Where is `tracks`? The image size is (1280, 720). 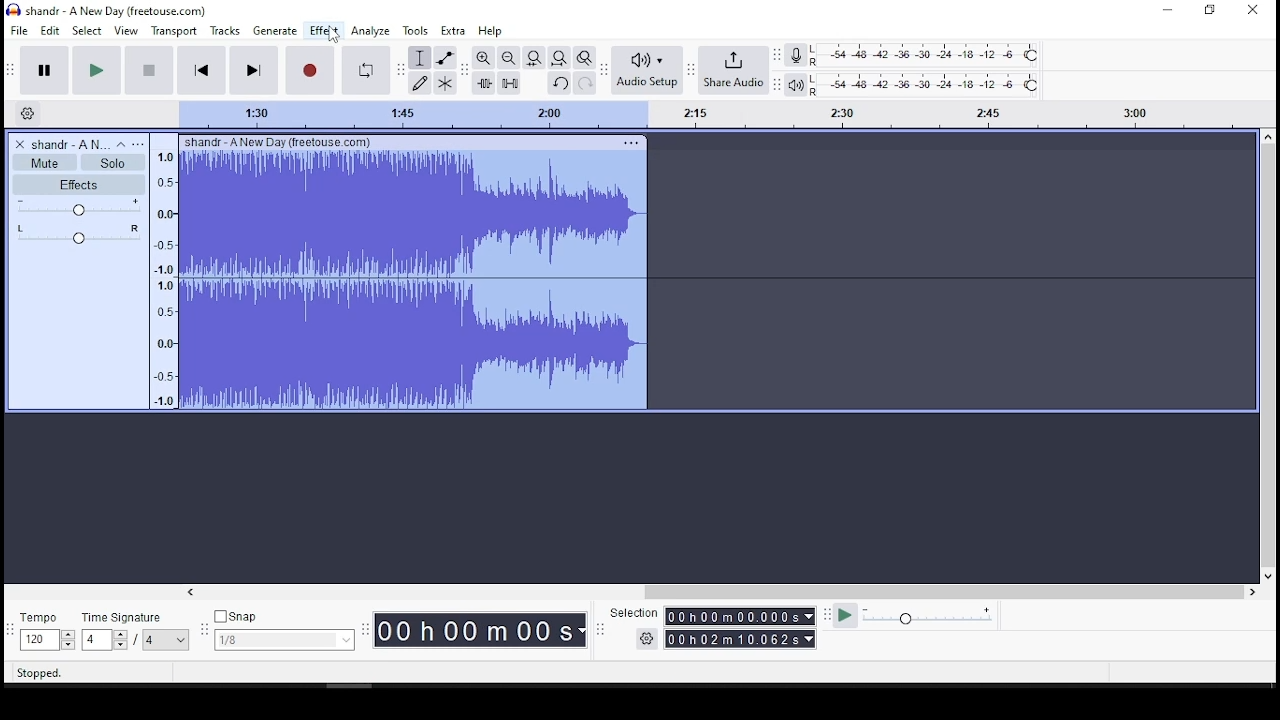
tracks is located at coordinates (225, 31).